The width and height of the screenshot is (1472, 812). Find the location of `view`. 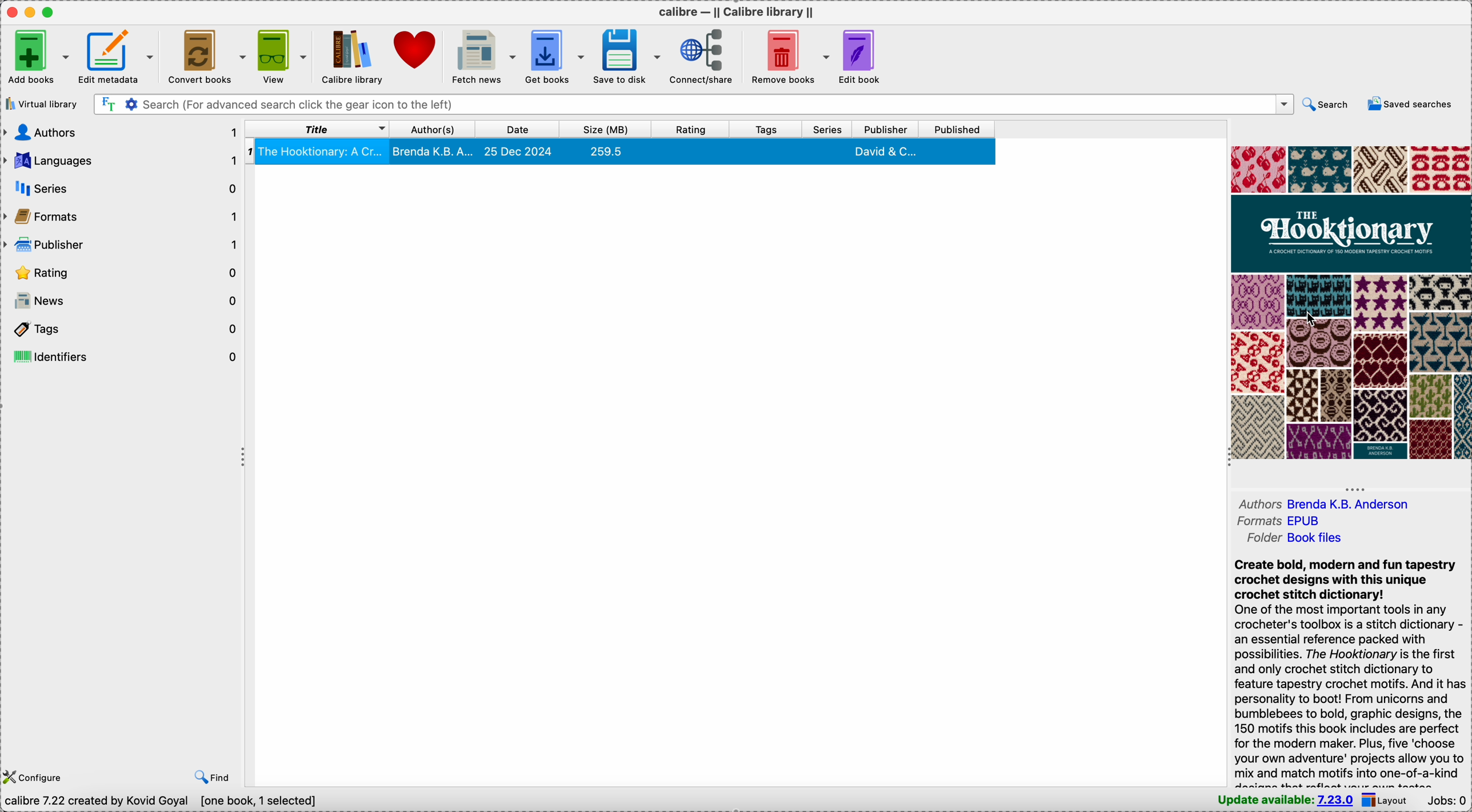

view is located at coordinates (279, 55).